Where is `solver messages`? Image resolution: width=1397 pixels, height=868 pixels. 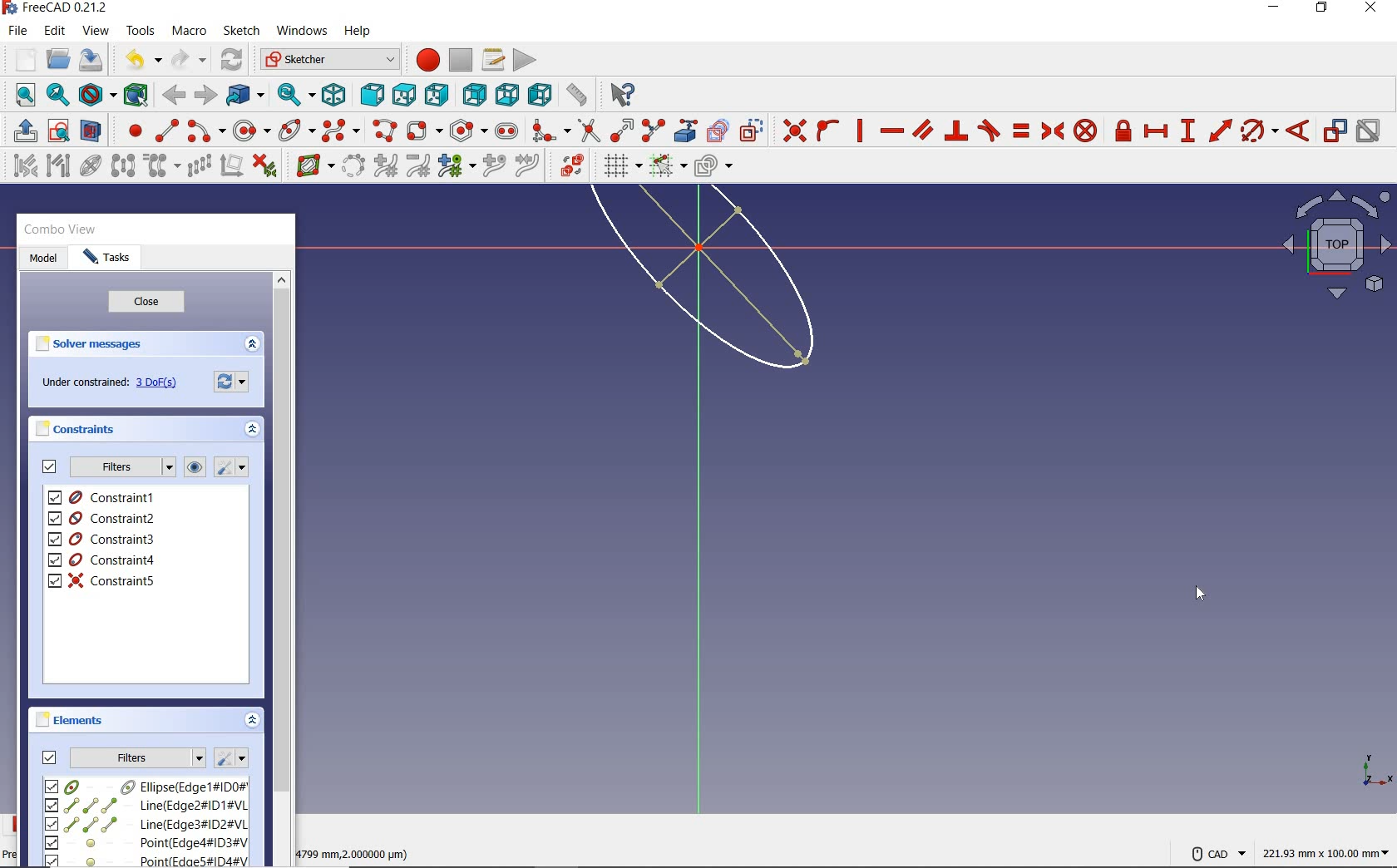
solver messages is located at coordinates (90, 344).